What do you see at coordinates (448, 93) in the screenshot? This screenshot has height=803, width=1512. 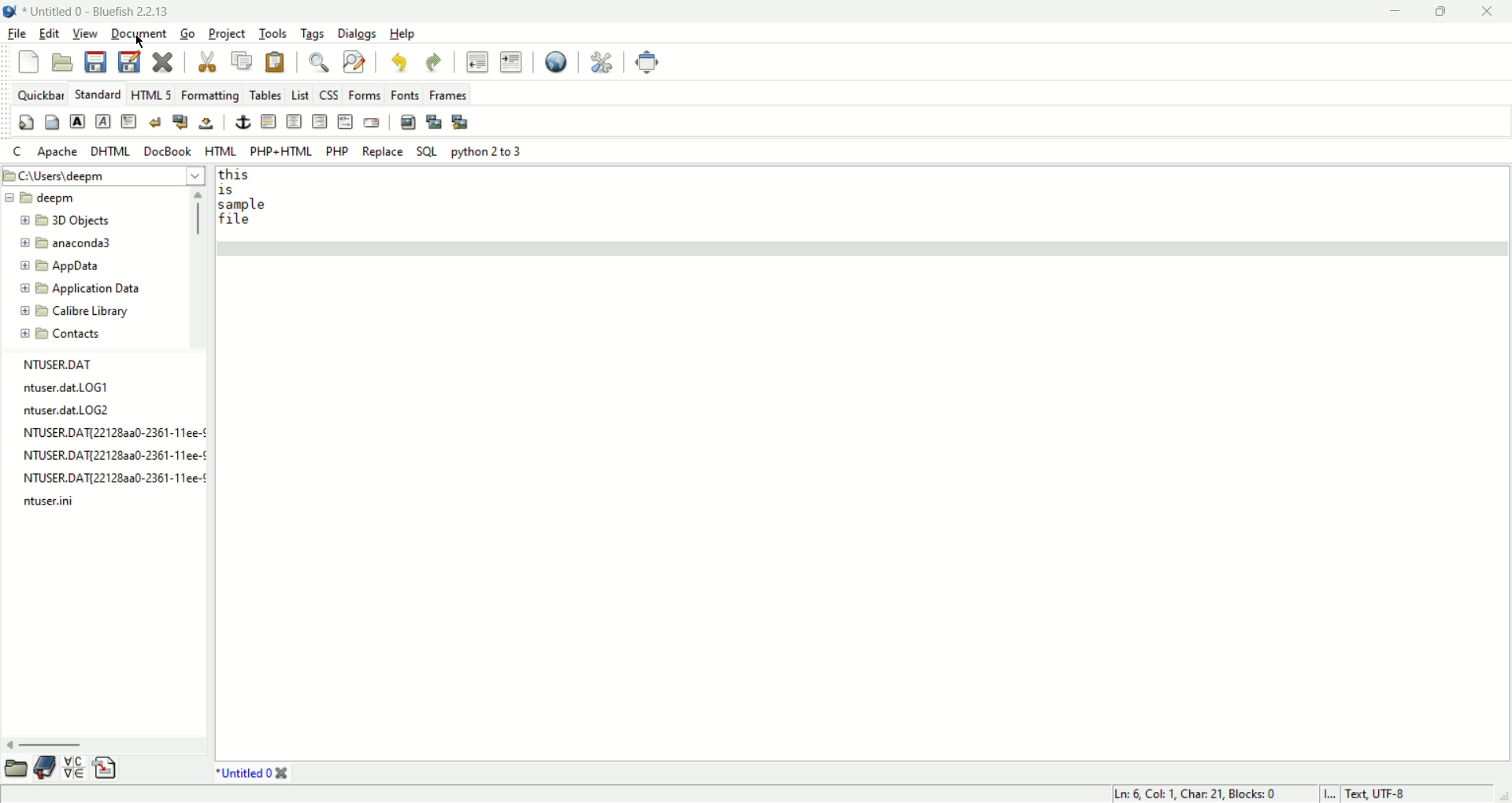 I see `frames` at bounding box center [448, 93].